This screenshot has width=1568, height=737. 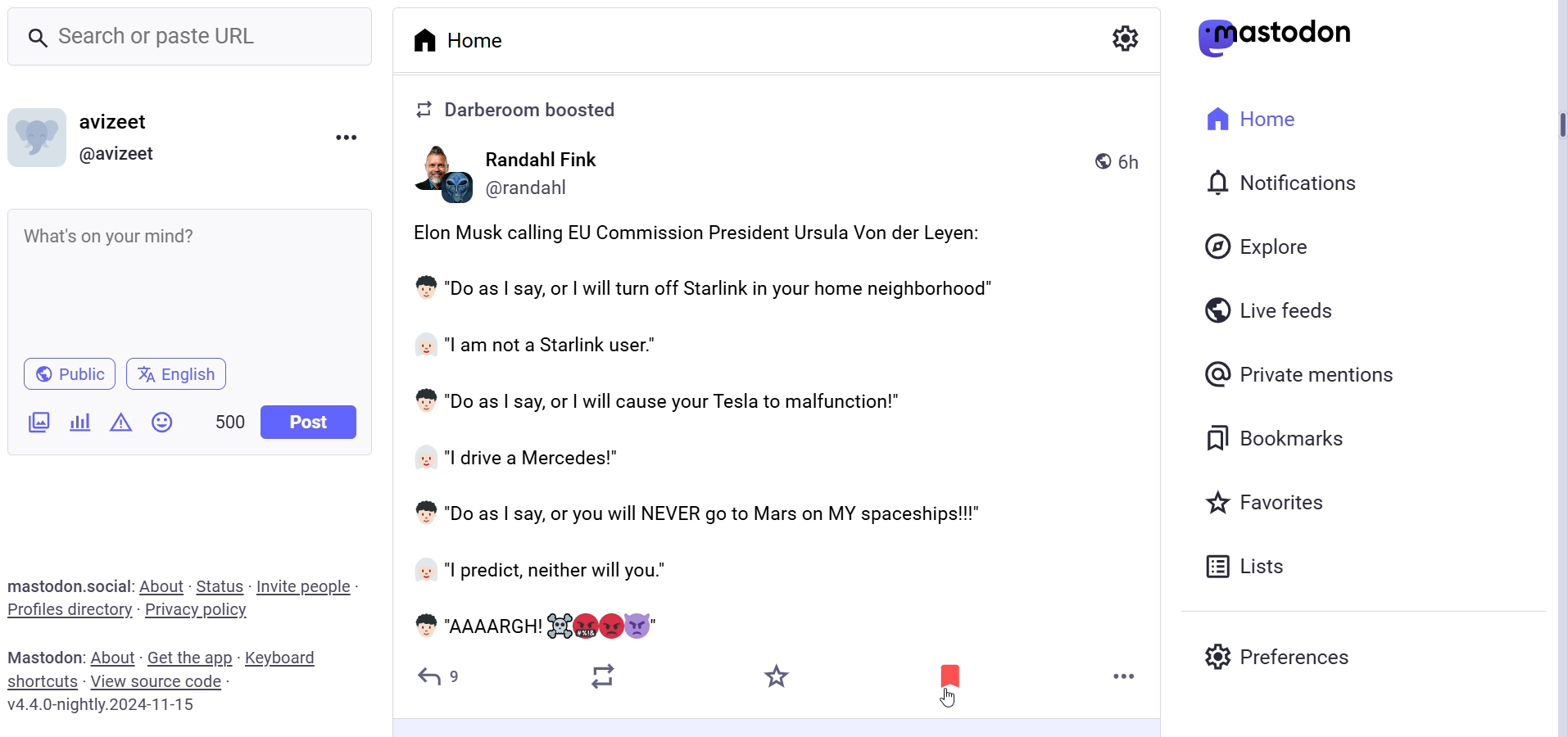 I want to click on Preferences, so click(x=1285, y=659).